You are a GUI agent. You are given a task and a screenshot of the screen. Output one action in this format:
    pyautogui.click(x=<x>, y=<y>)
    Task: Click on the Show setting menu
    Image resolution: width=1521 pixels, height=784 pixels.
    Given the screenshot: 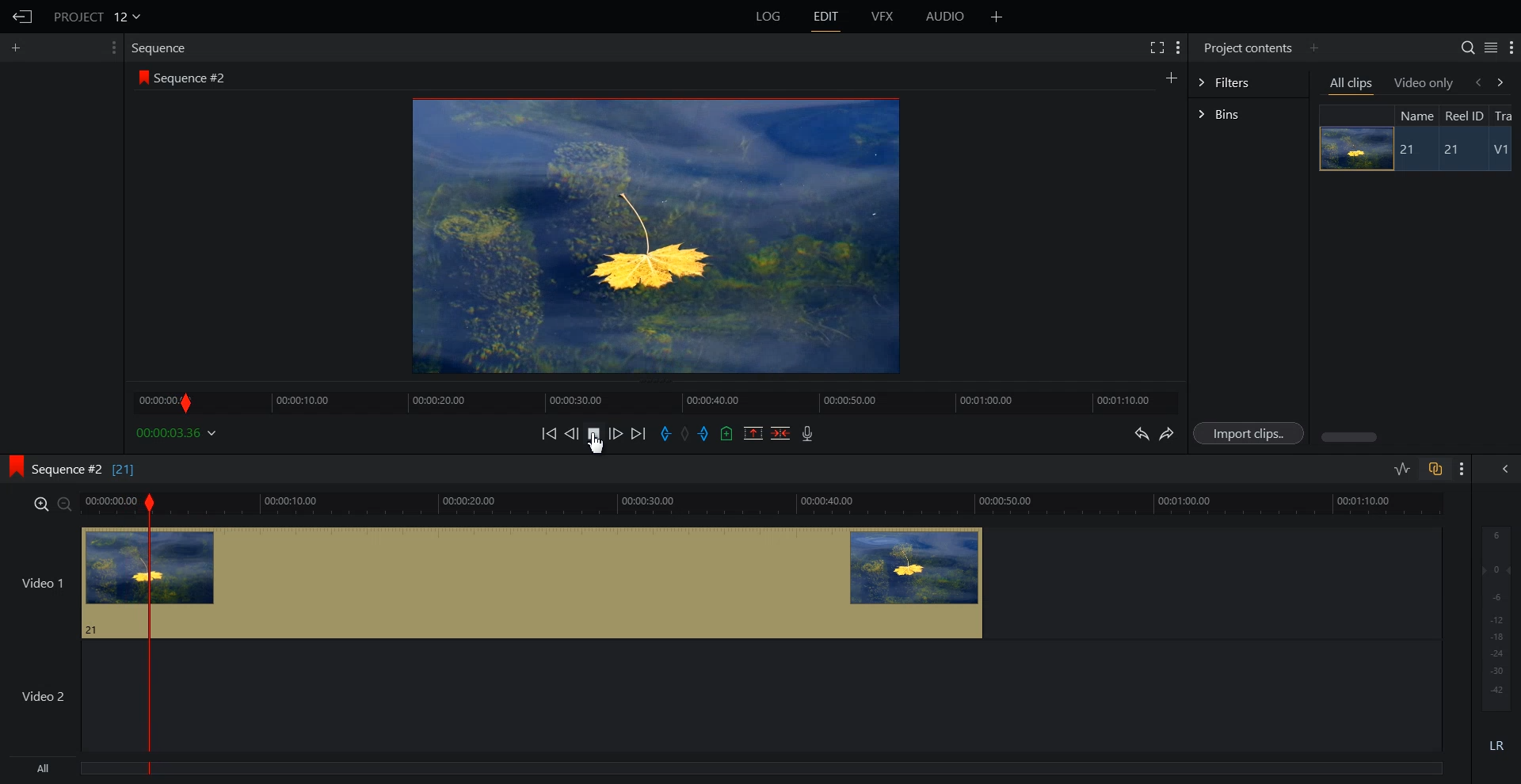 What is the action you would take?
    pyautogui.click(x=1178, y=48)
    